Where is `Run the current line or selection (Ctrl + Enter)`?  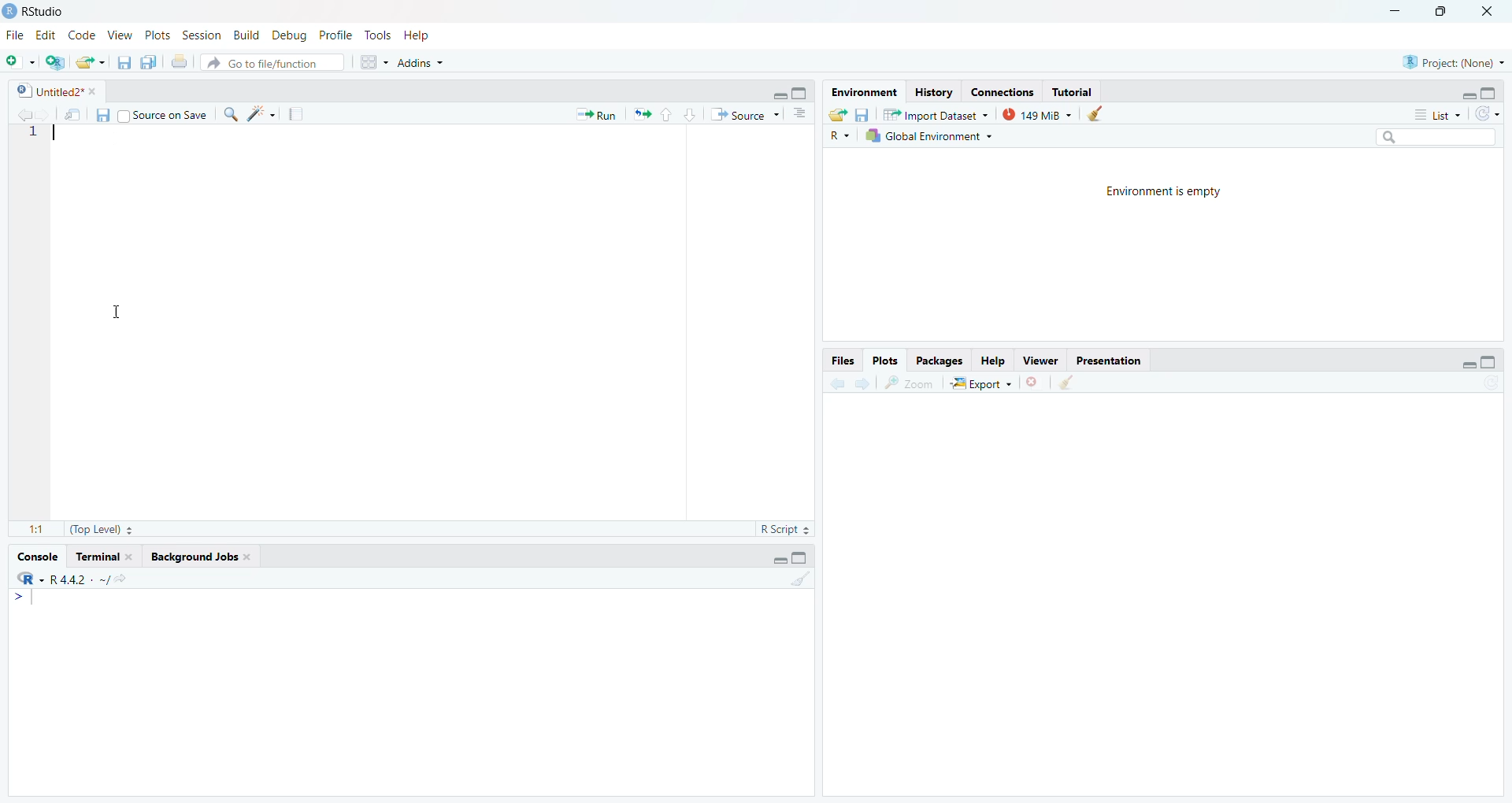
Run the current line or selection (Ctrl + Enter) is located at coordinates (598, 113).